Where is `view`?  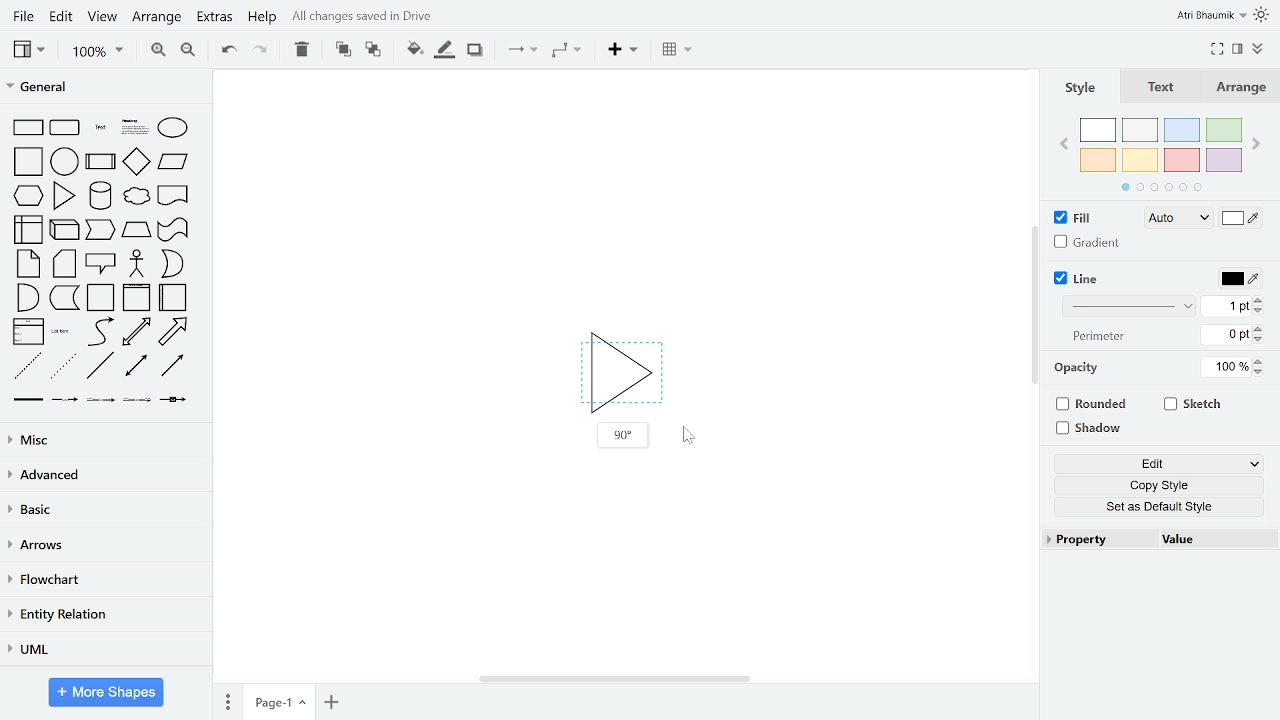
view is located at coordinates (28, 49).